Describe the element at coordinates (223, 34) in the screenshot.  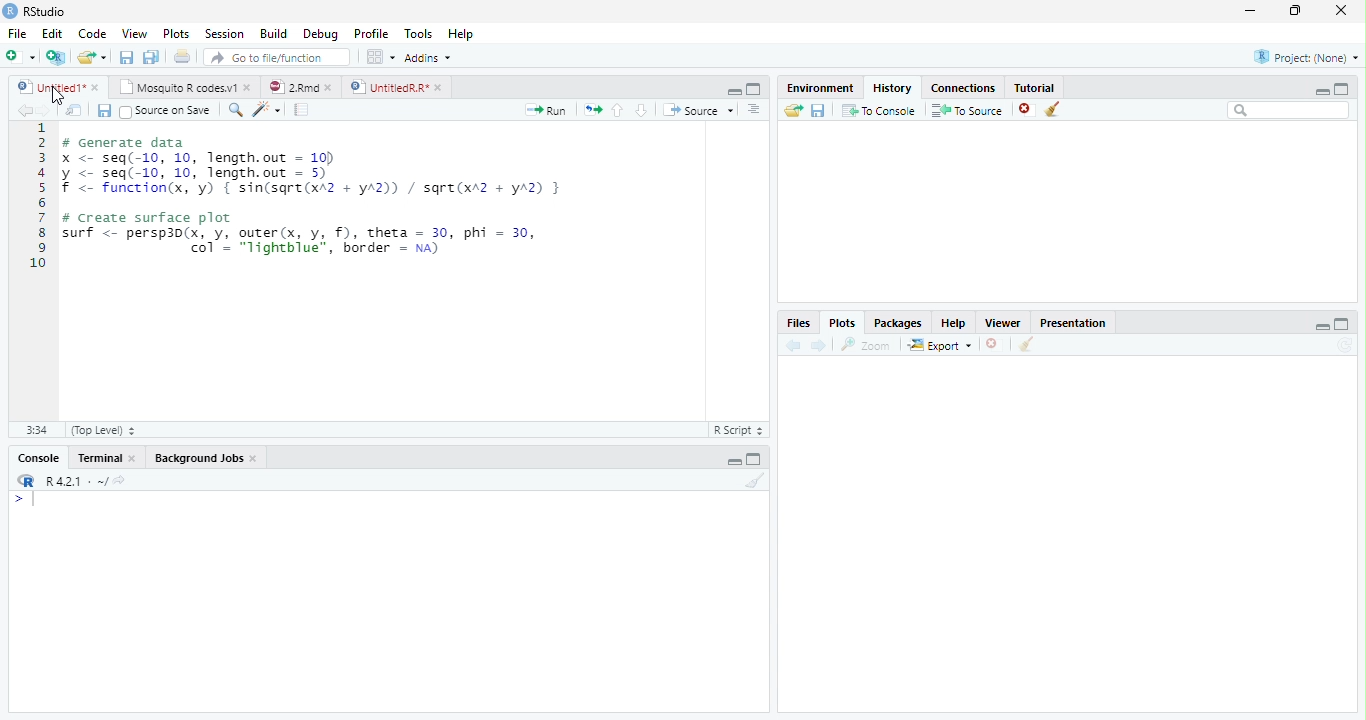
I see `Session` at that location.